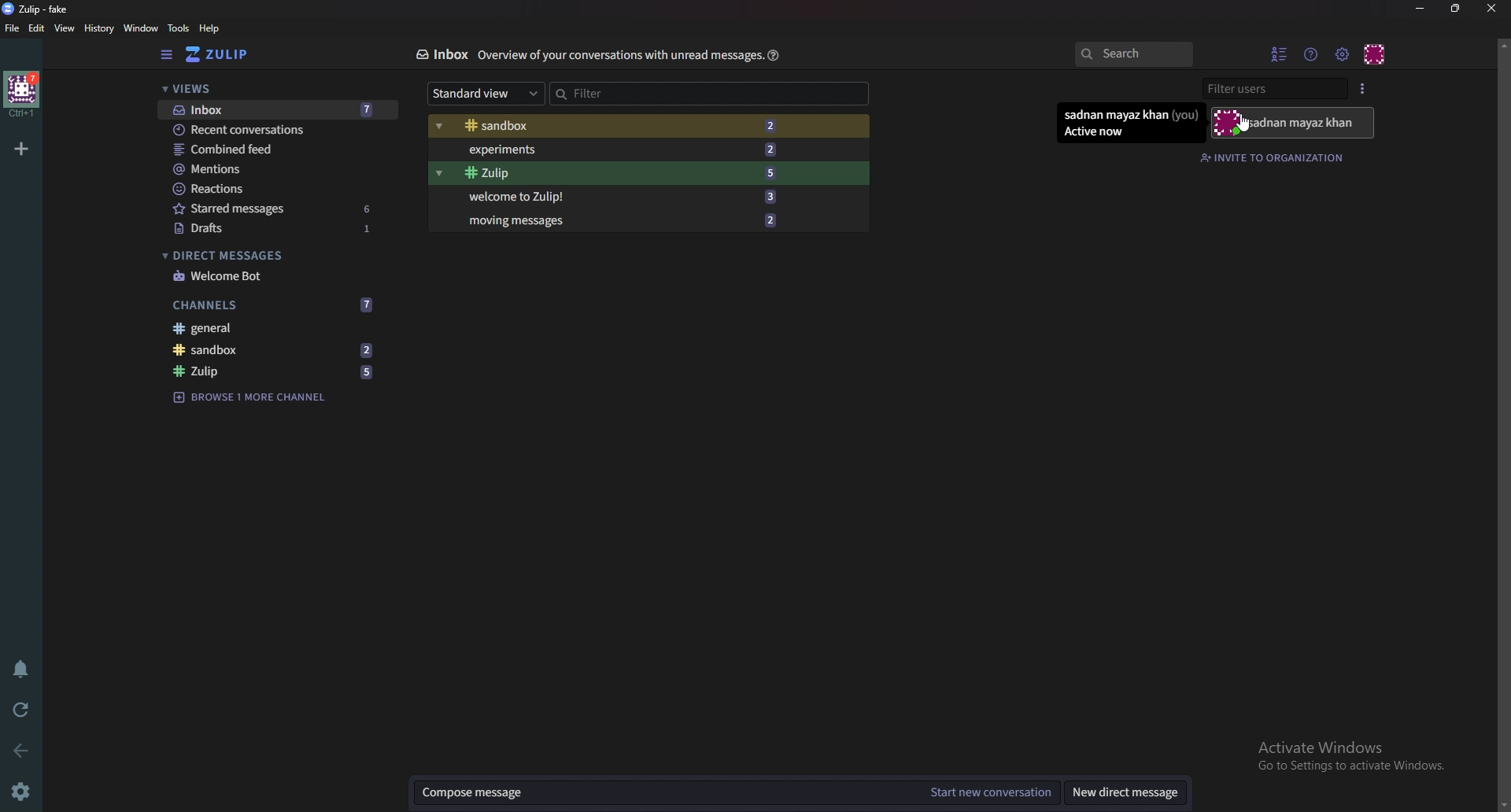 The height and width of the screenshot is (812, 1511). I want to click on Home, so click(22, 93).